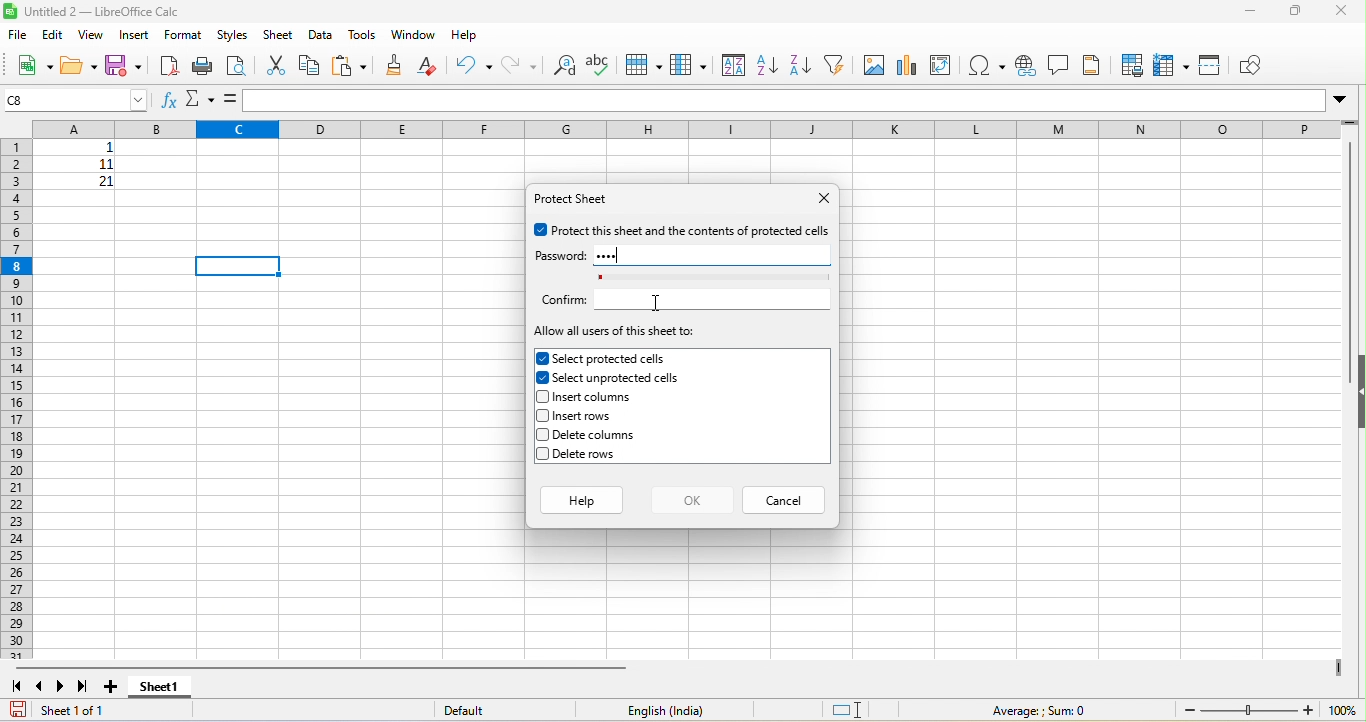 Image resolution: width=1366 pixels, height=722 pixels. Describe the element at coordinates (62, 686) in the screenshot. I see `next` at that location.